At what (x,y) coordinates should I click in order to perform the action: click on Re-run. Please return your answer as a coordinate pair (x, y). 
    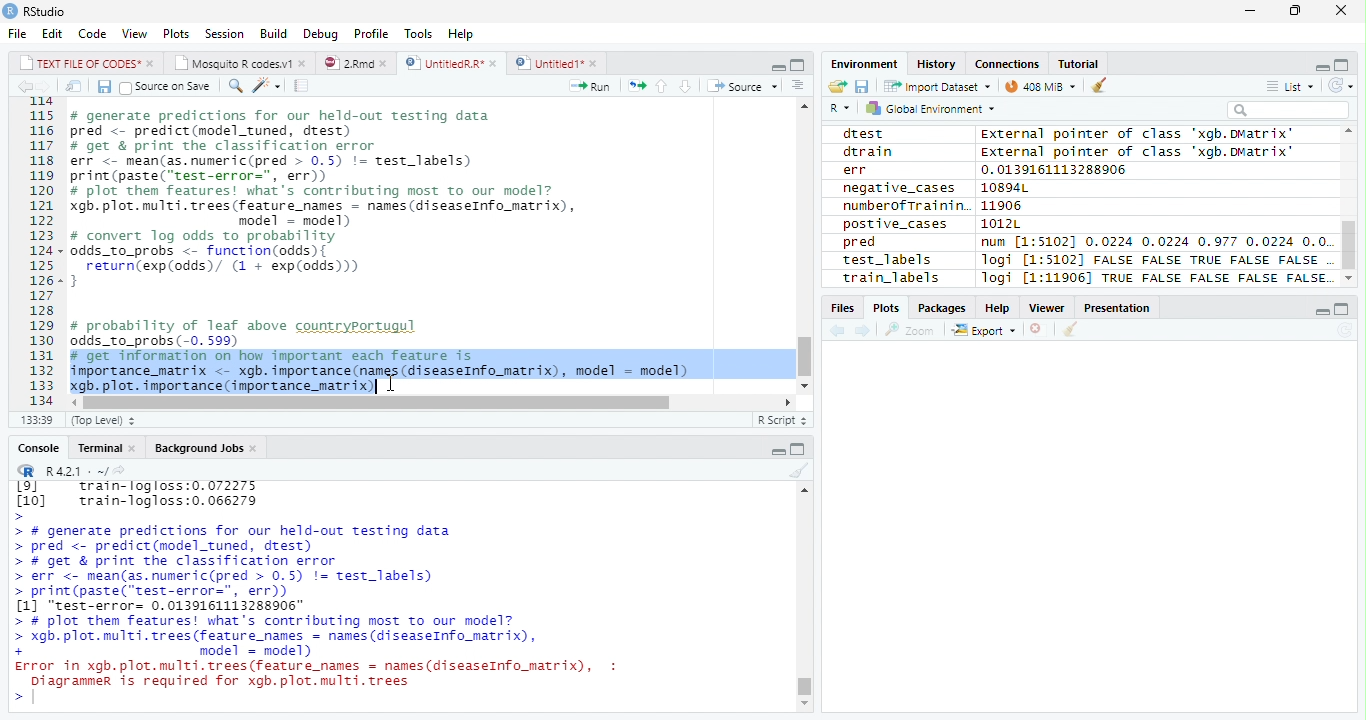
    Looking at the image, I should click on (633, 84).